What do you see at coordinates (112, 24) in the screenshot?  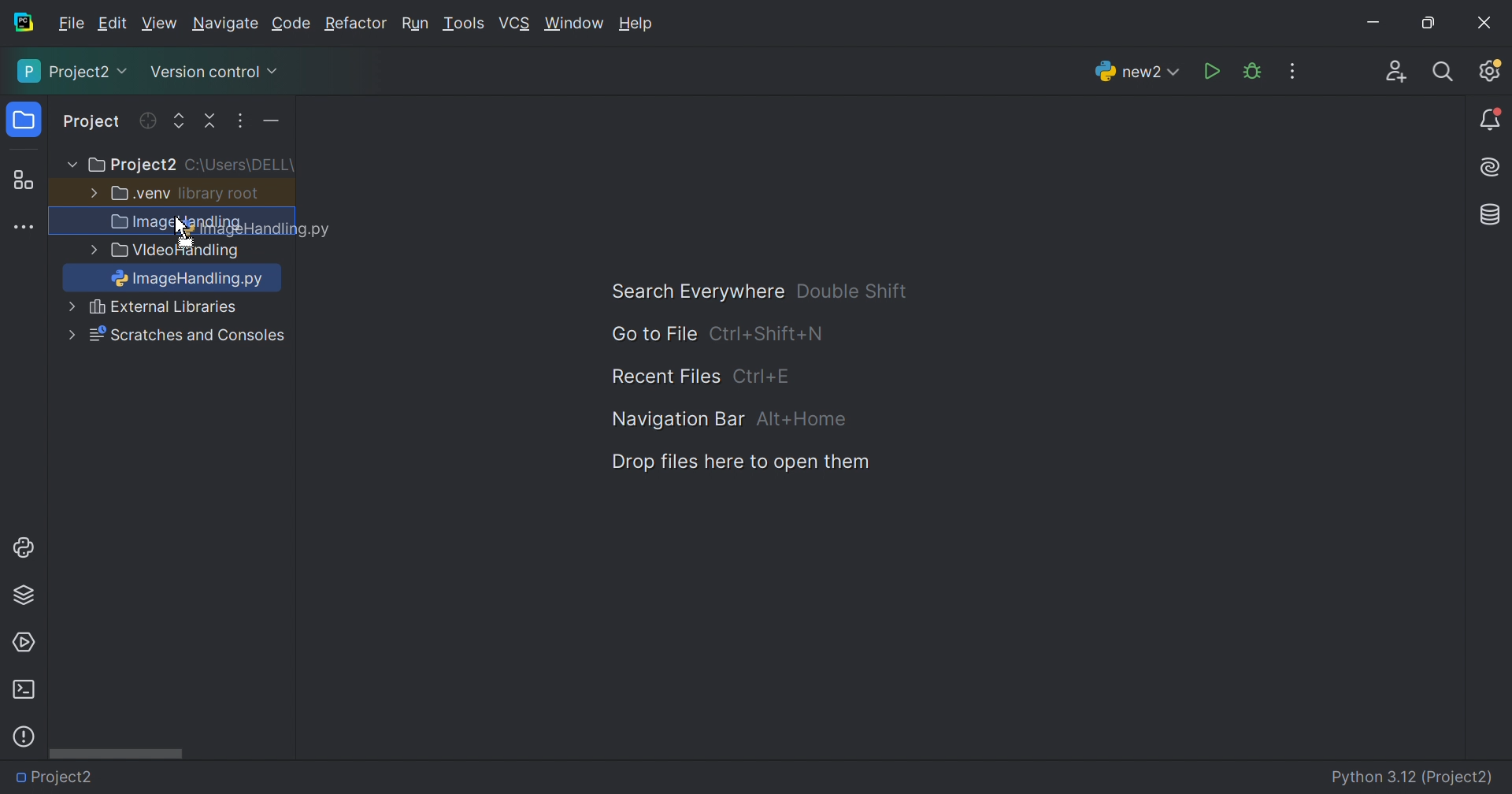 I see `Edit` at bounding box center [112, 24].